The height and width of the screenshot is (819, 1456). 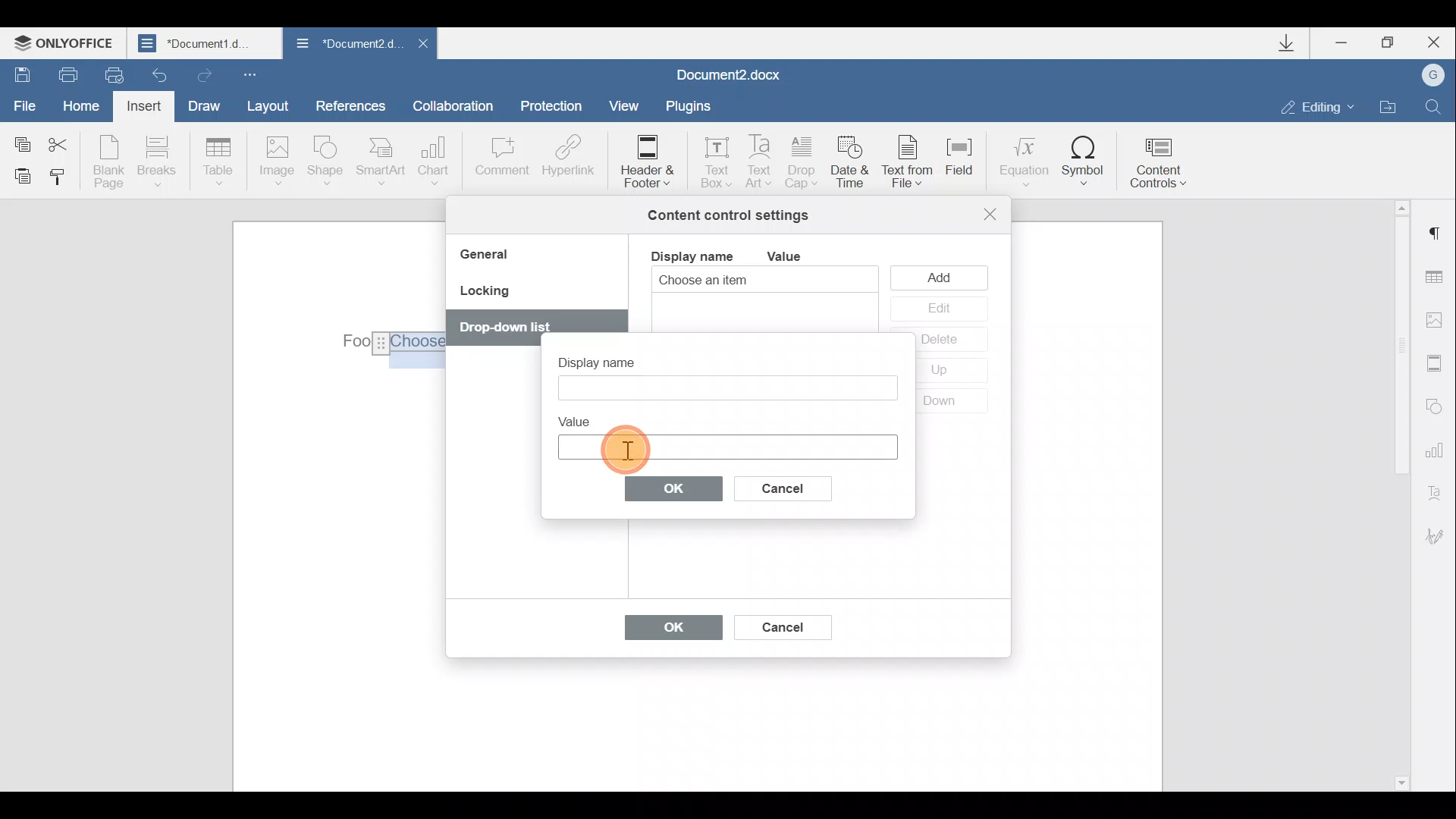 I want to click on Symbol, so click(x=1084, y=160).